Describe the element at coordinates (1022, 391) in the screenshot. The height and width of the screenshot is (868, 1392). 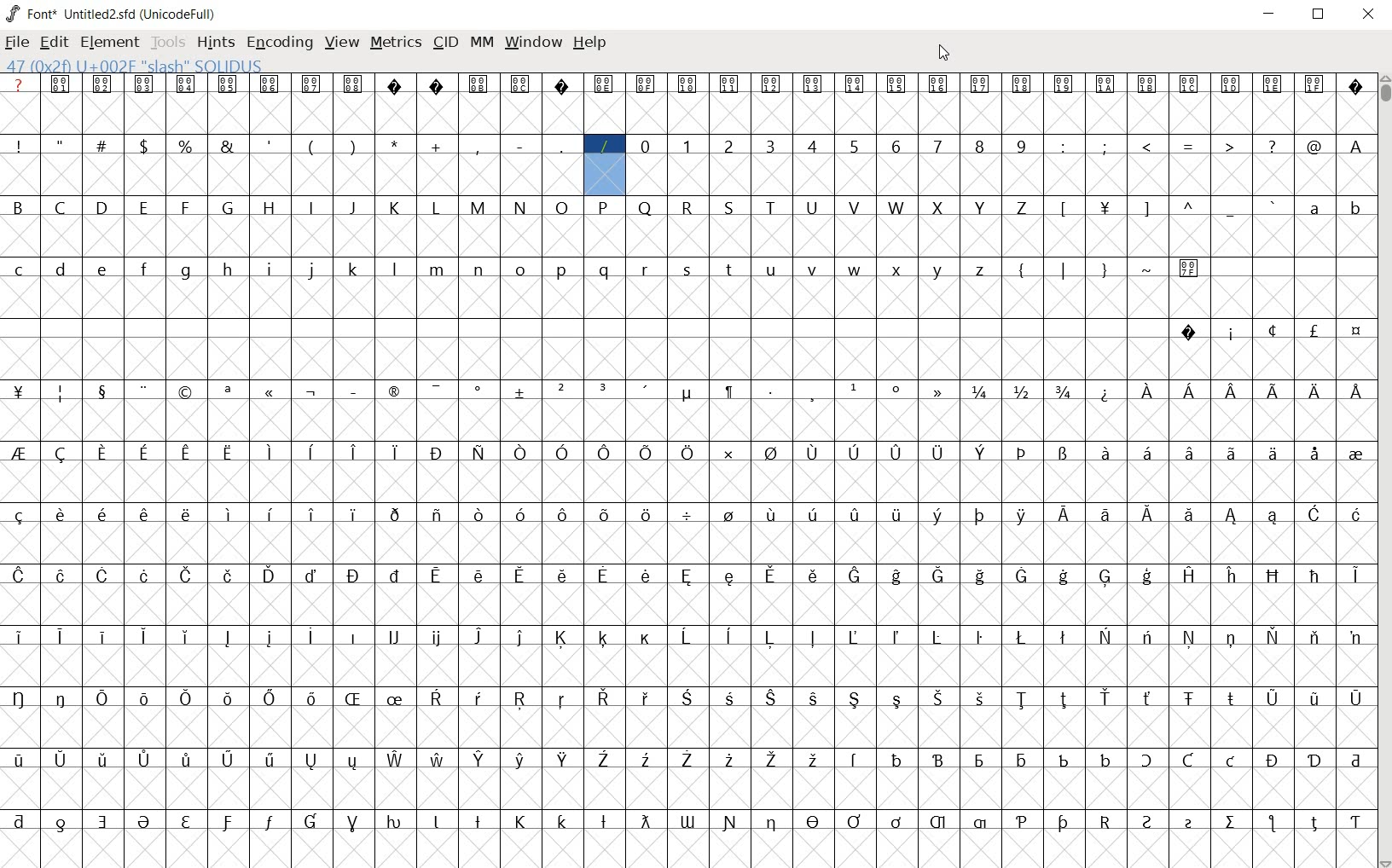
I see `glyph` at that location.